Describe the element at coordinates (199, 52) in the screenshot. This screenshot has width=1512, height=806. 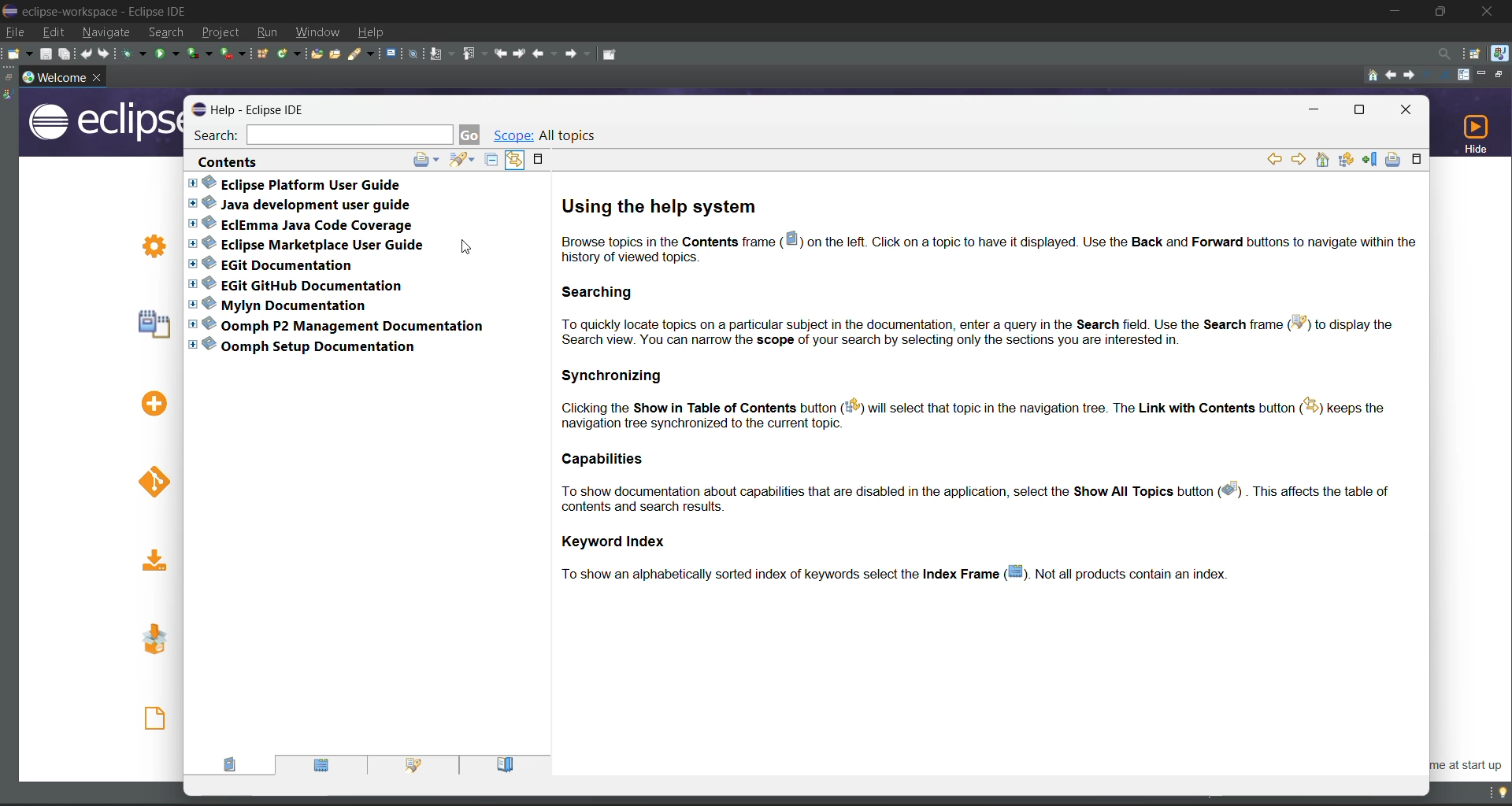
I see `coverage` at that location.